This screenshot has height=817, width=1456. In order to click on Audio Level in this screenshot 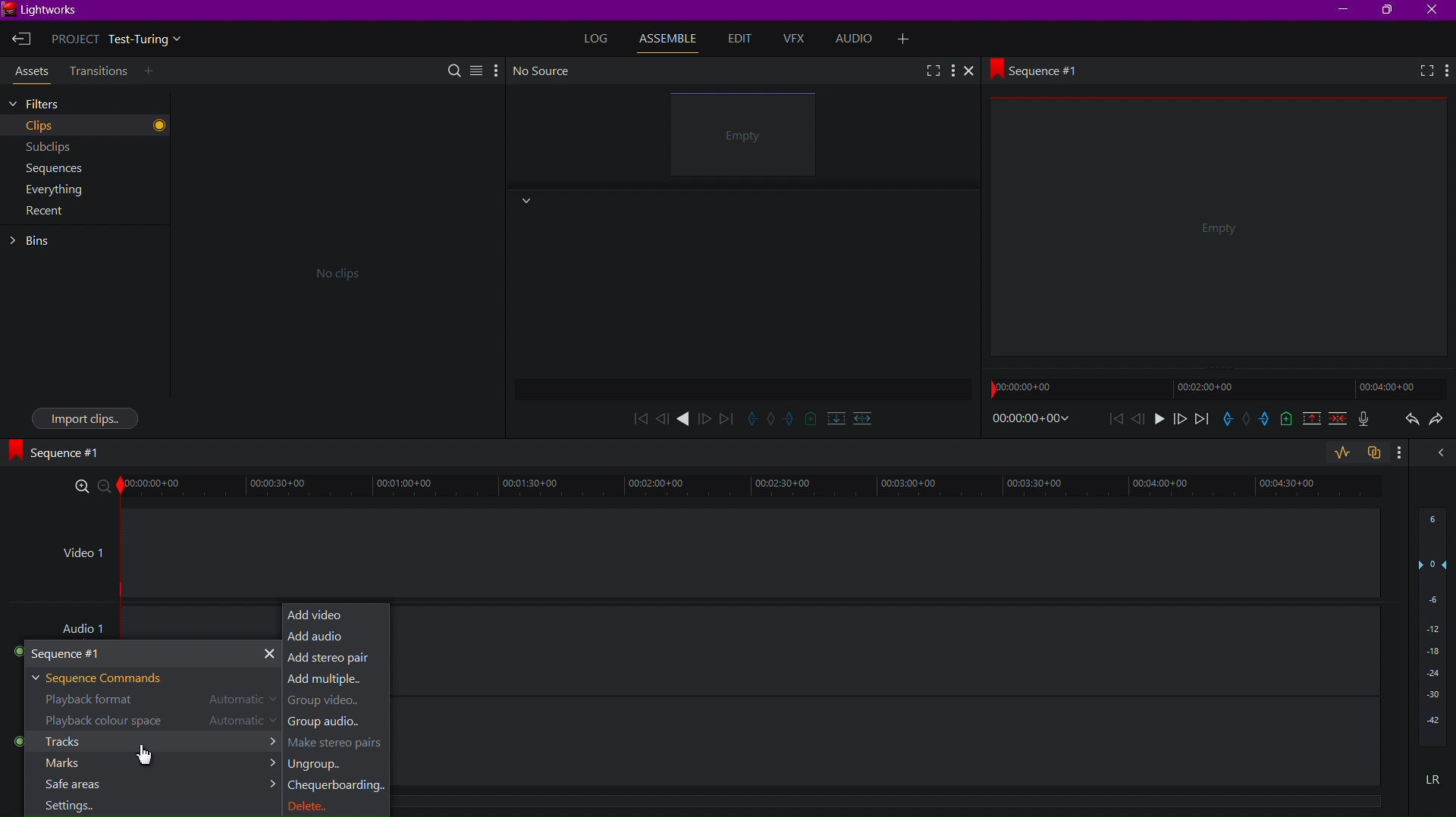, I will do `click(1432, 633)`.